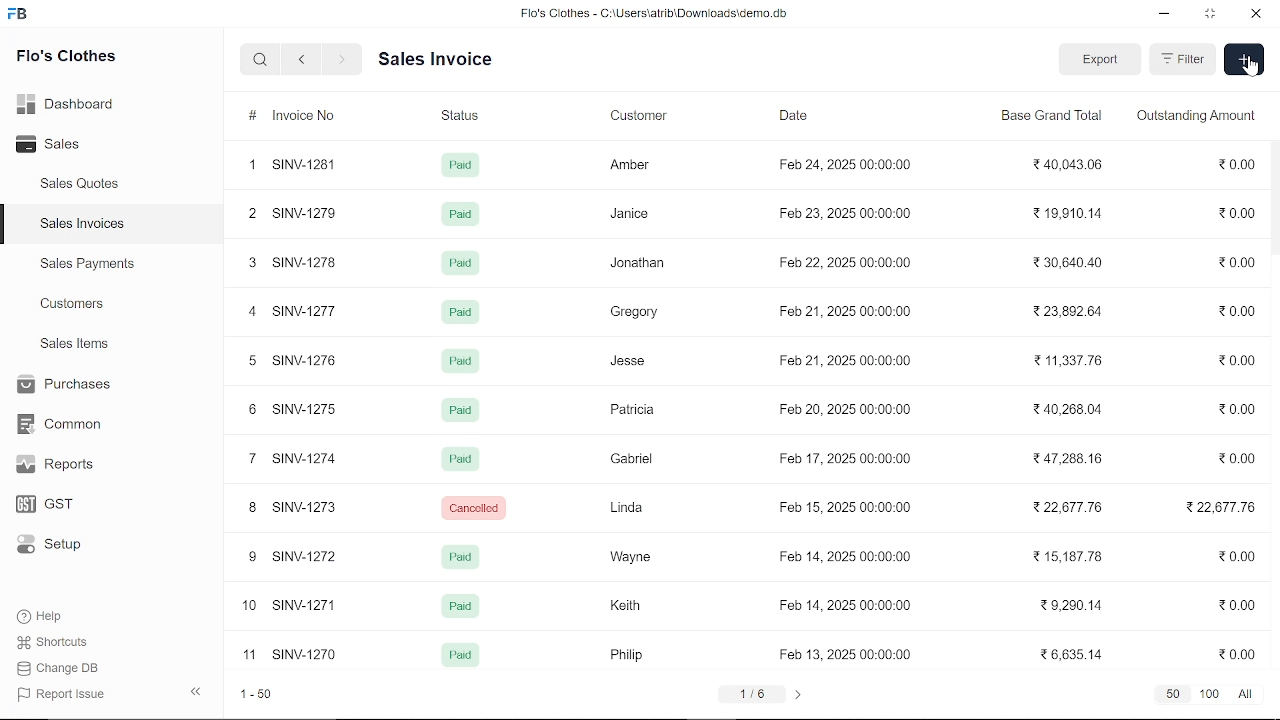 The image size is (1280, 720). What do you see at coordinates (1250, 68) in the screenshot?
I see `cursor` at bounding box center [1250, 68].